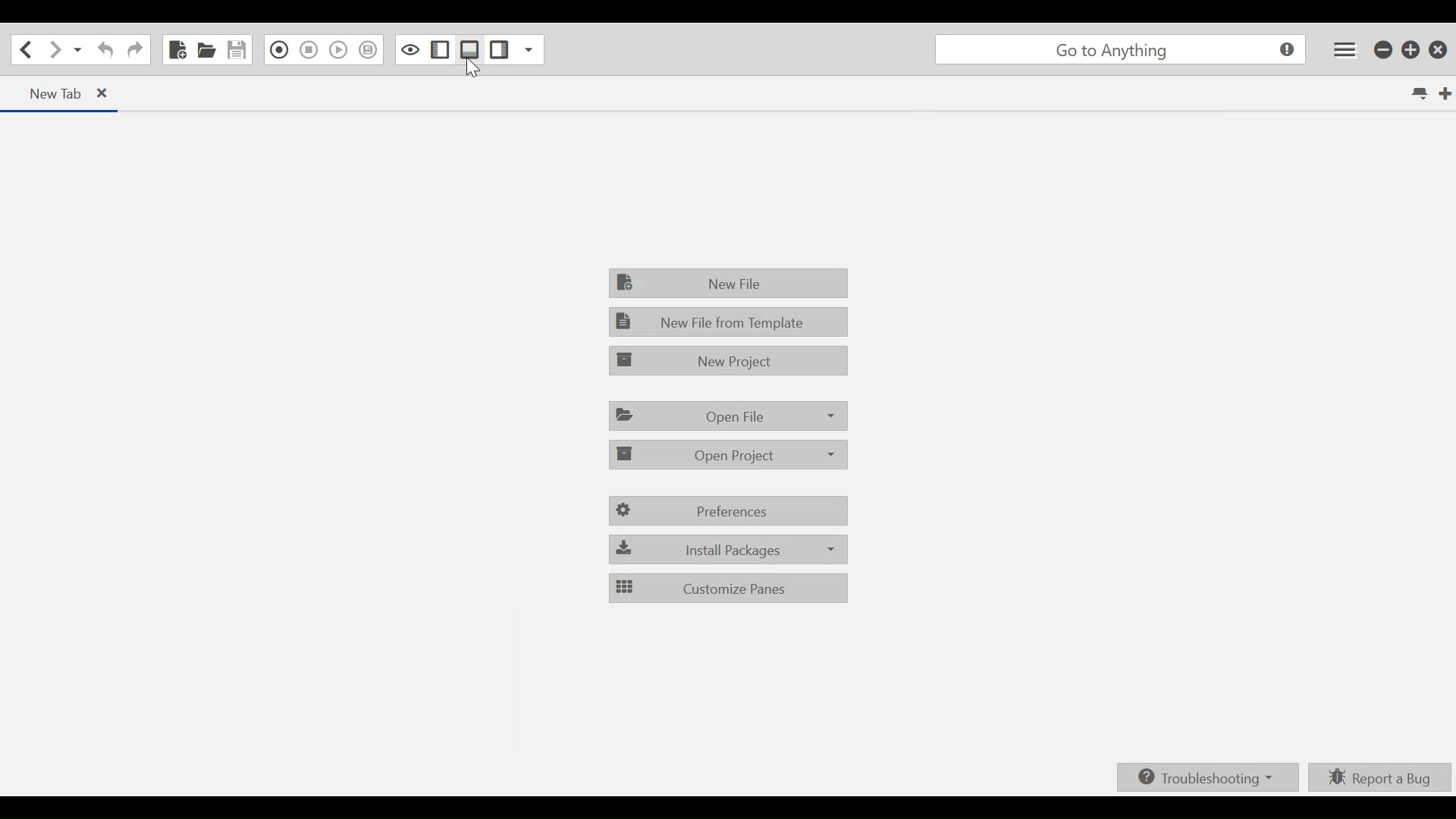 The height and width of the screenshot is (819, 1456). What do you see at coordinates (106, 50) in the screenshot?
I see `Undo last action` at bounding box center [106, 50].